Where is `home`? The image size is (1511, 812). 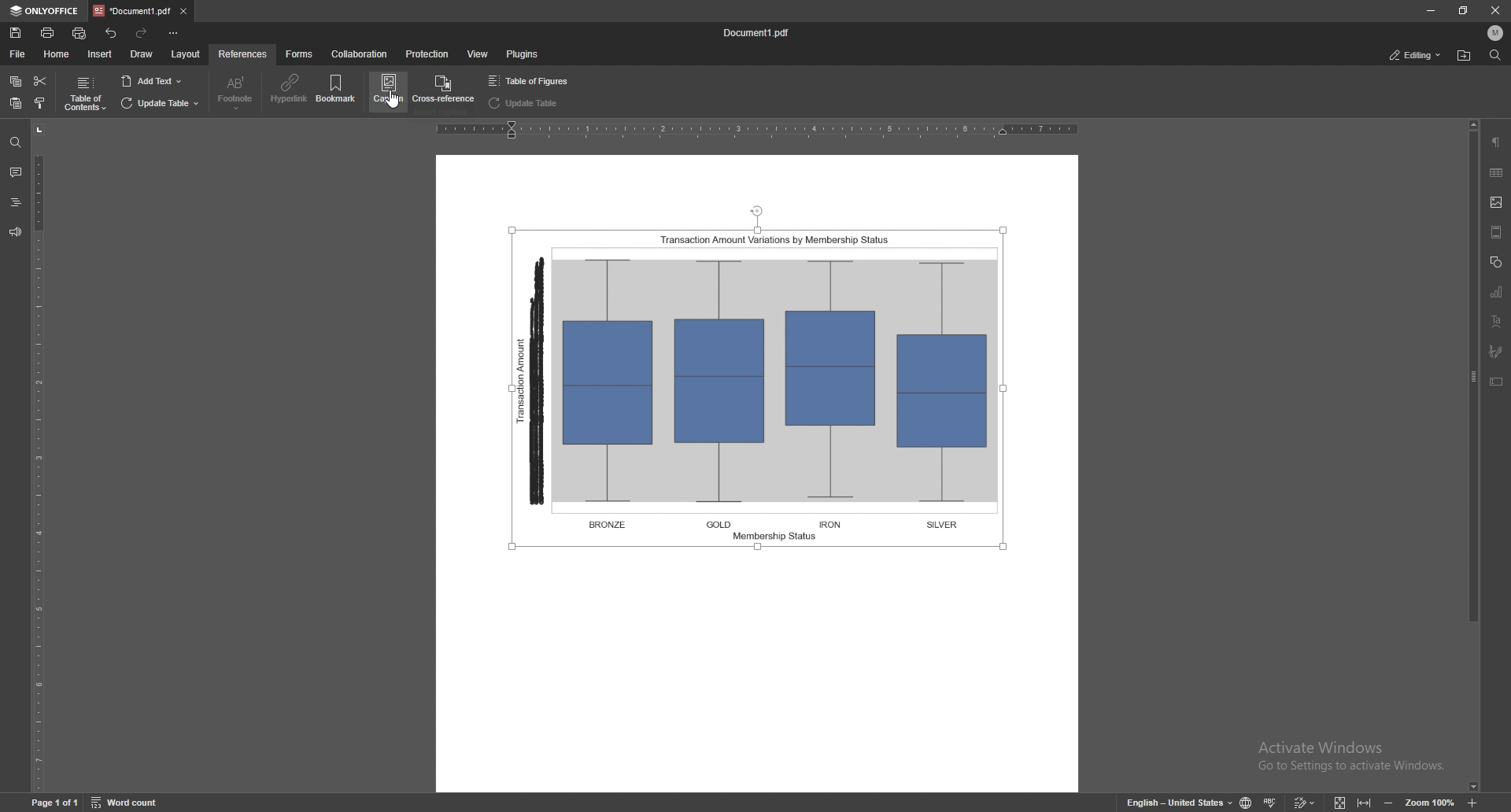 home is located at coordinates (57, 54).